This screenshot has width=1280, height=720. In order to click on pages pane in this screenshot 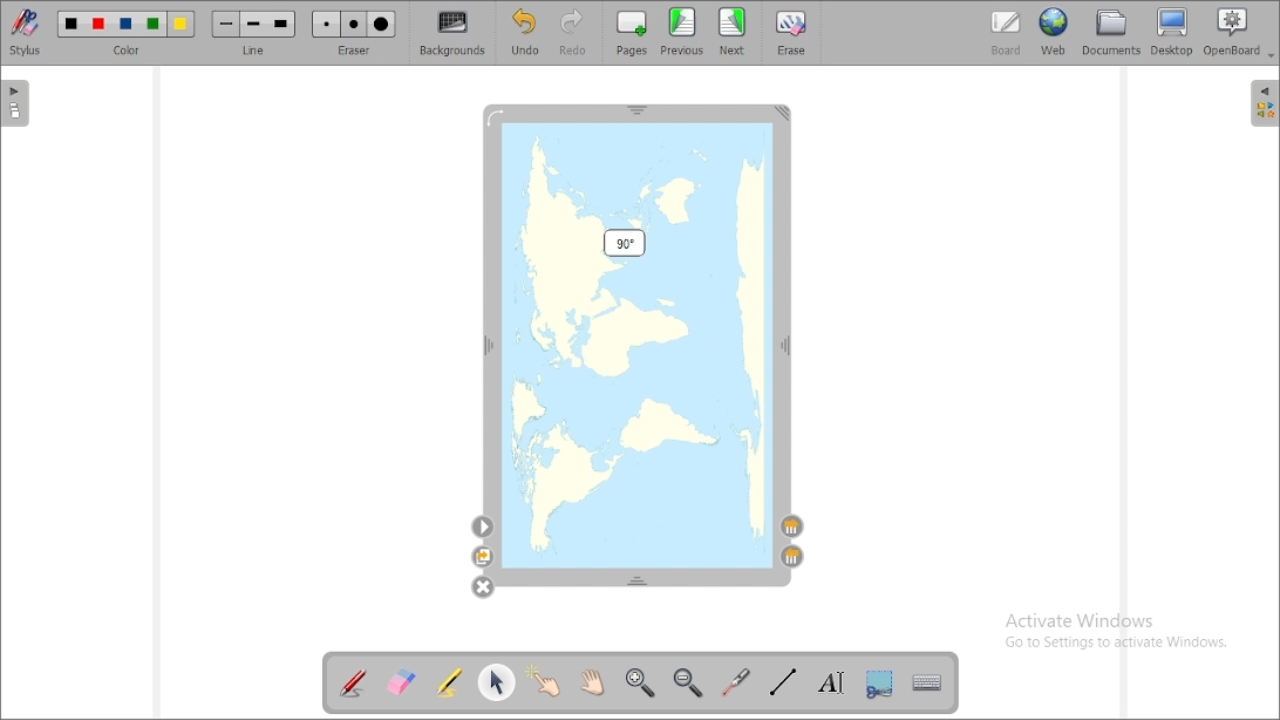, I will do `click(16, 104)`.